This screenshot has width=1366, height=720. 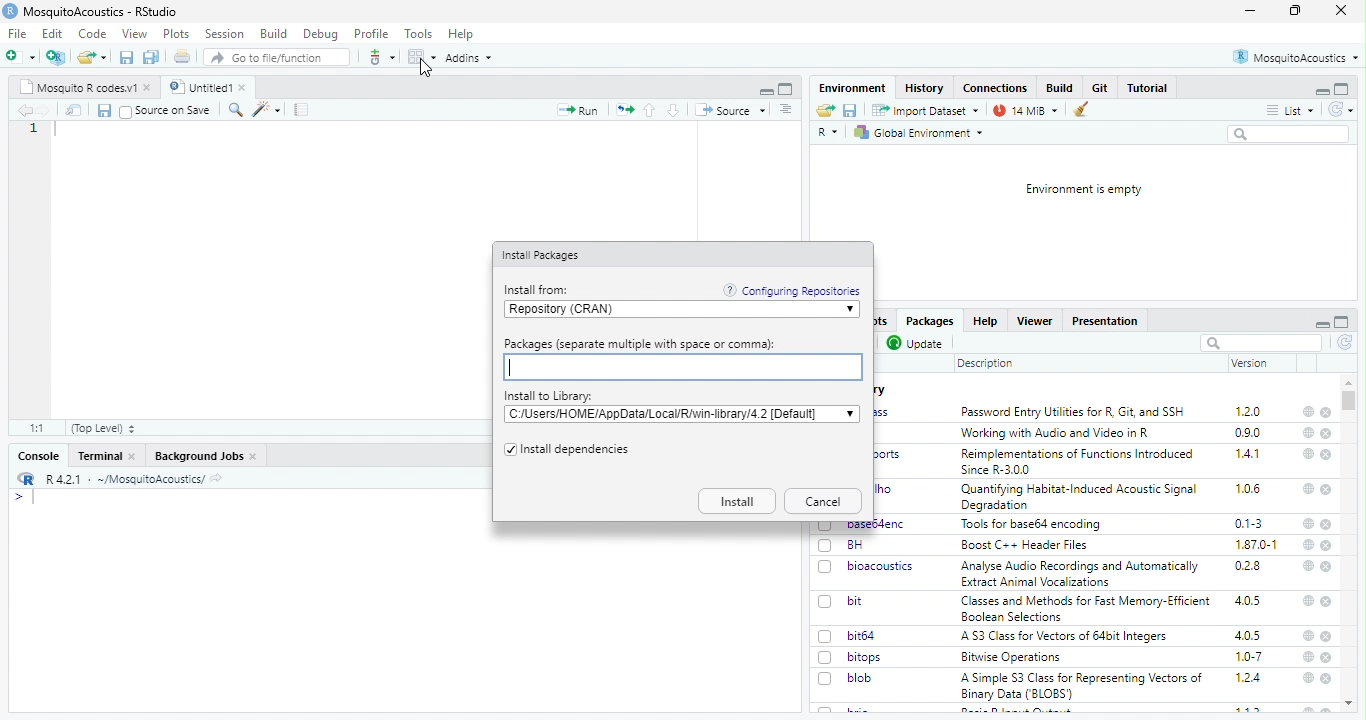 I want to click on 10-7, so click(x=1250, y=657).